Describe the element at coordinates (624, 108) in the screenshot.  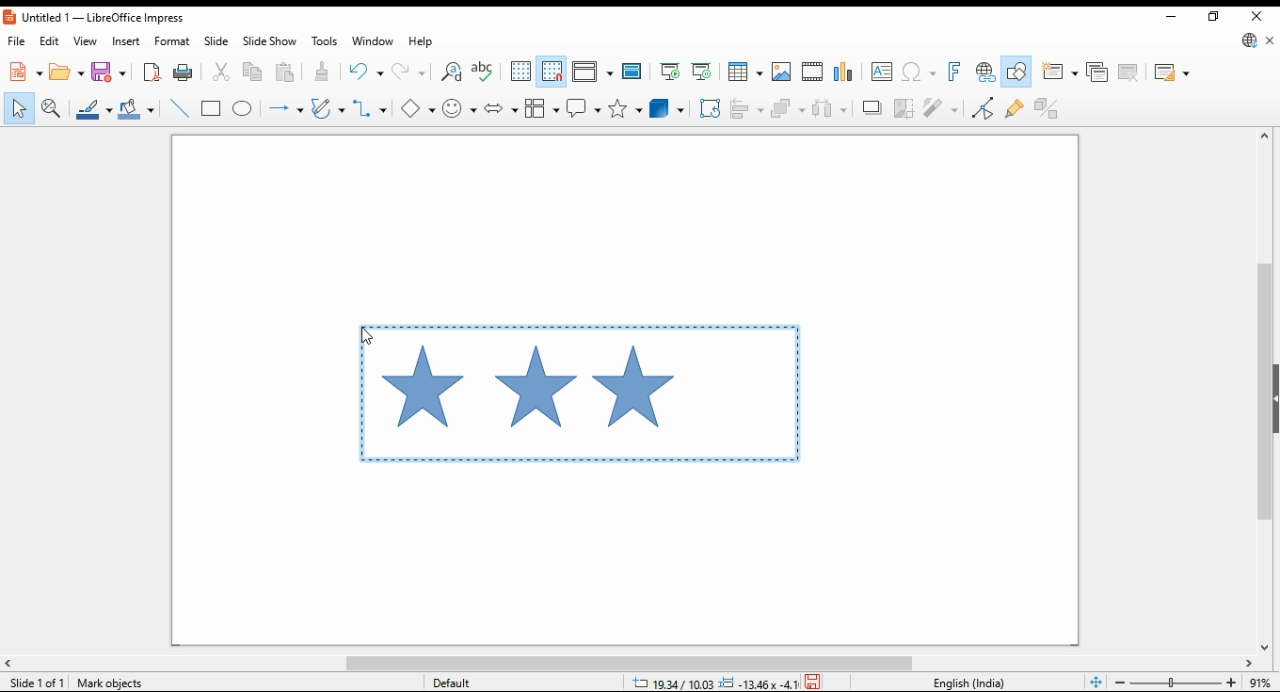
I see `stars and banners` at that location.